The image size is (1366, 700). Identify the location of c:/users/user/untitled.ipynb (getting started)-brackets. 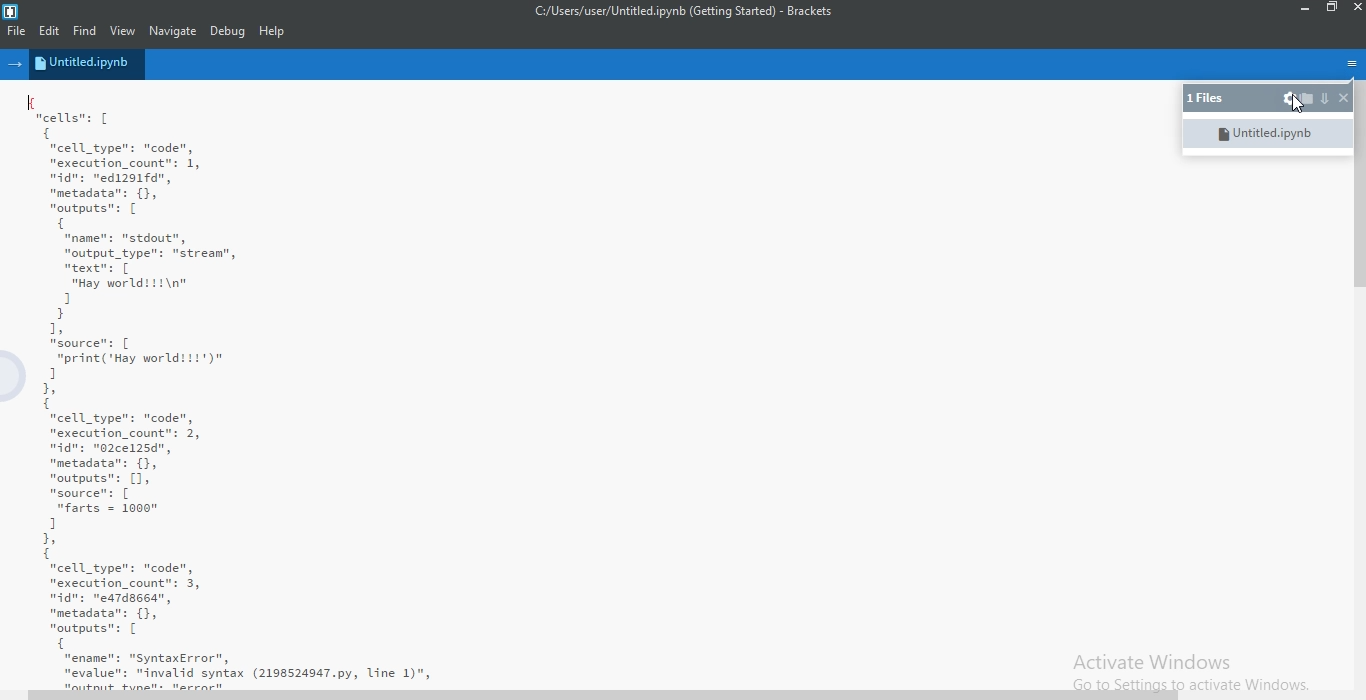
(681, 14).